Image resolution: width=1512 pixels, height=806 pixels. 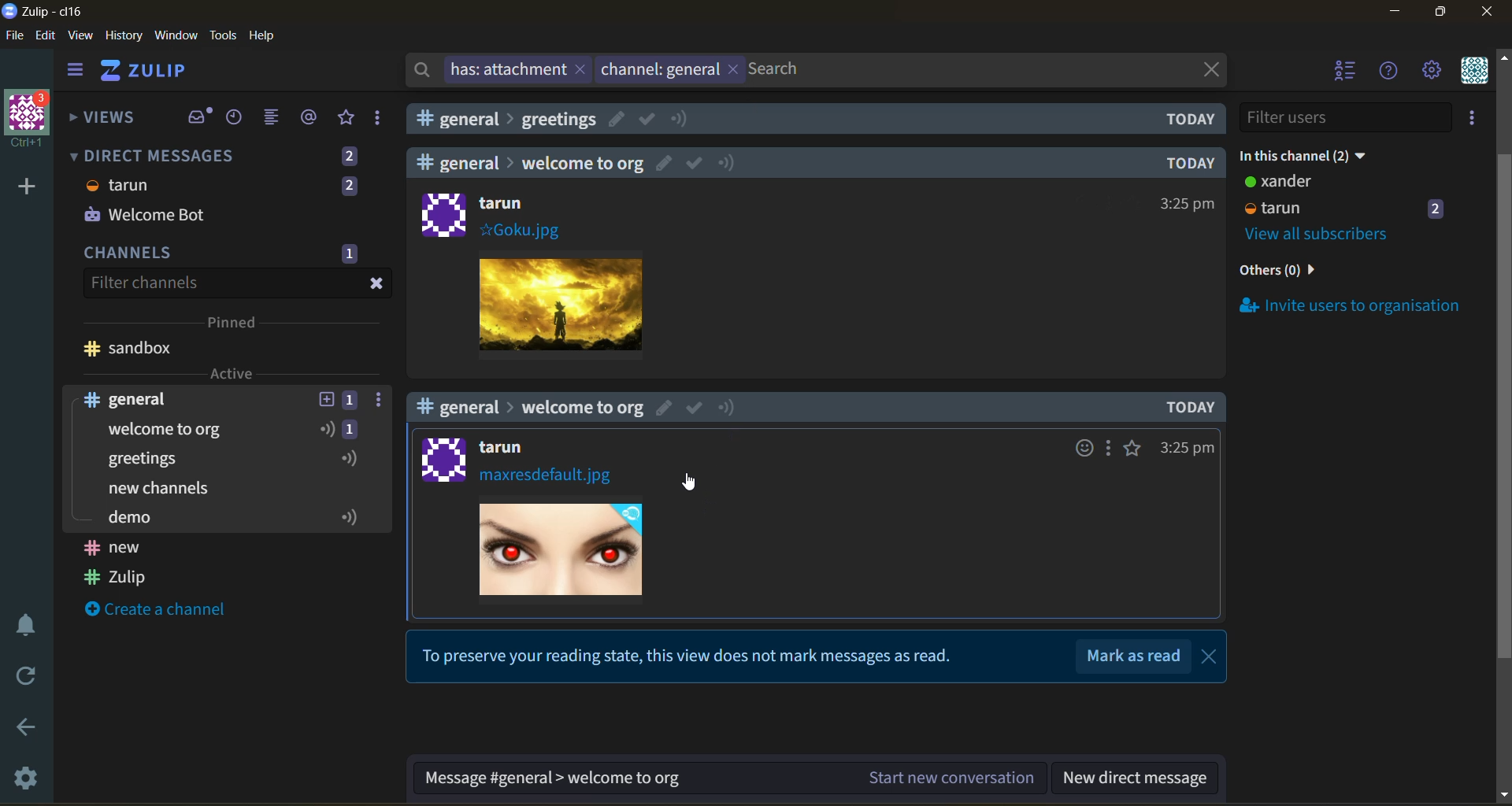 I want to click on CHANNELS, so click(x=131, y=255).